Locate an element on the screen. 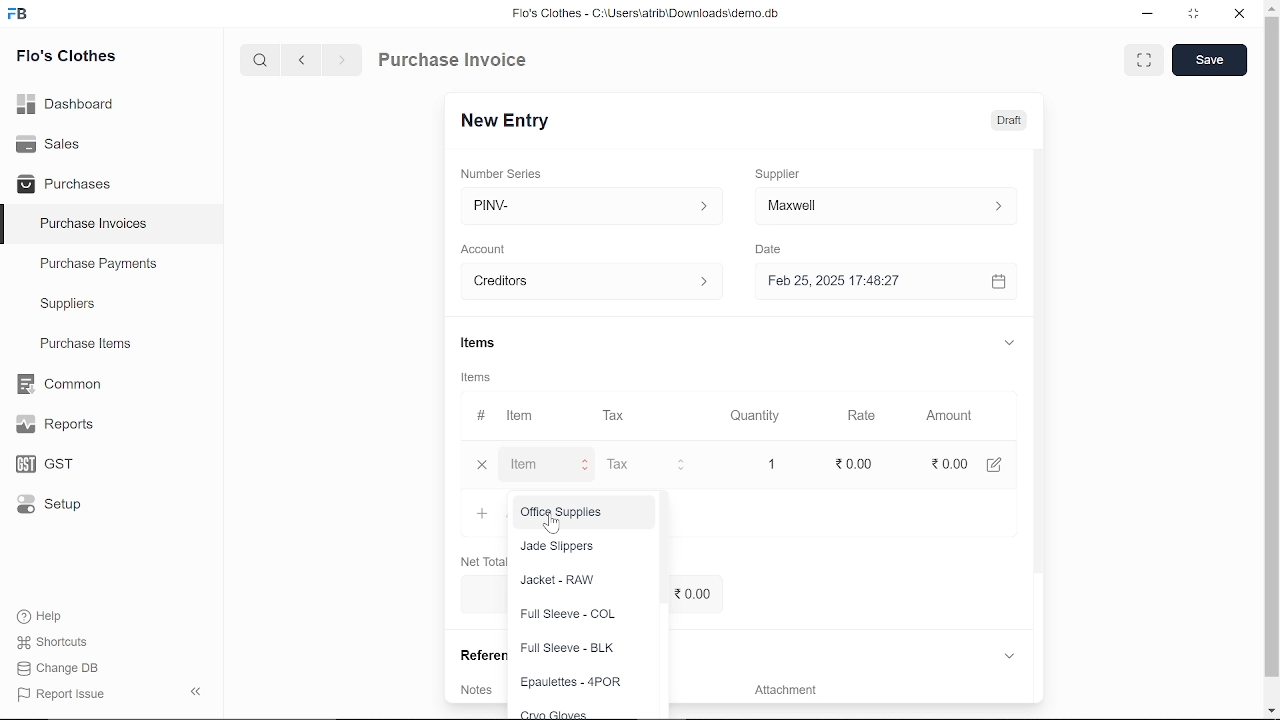 Image resolution: width=1280 pixels, height=720 pixels. Reports is located at coordinates (54, 425).